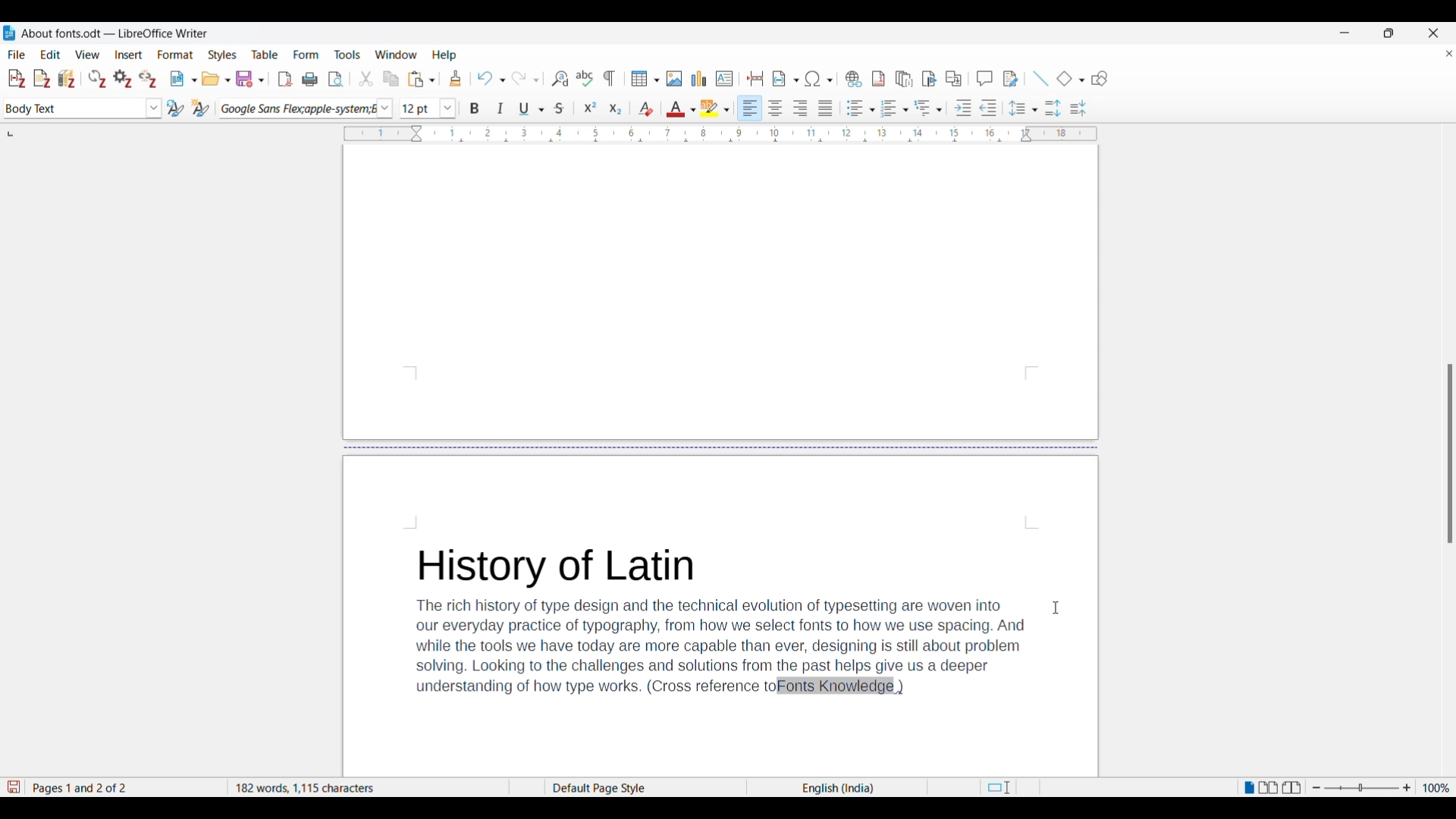 This screenshot has height=819, width=1456. What do you see at coordinates (222, 55) in the screenshot?
I see `Styles menu` at bounding box center [222, 55].